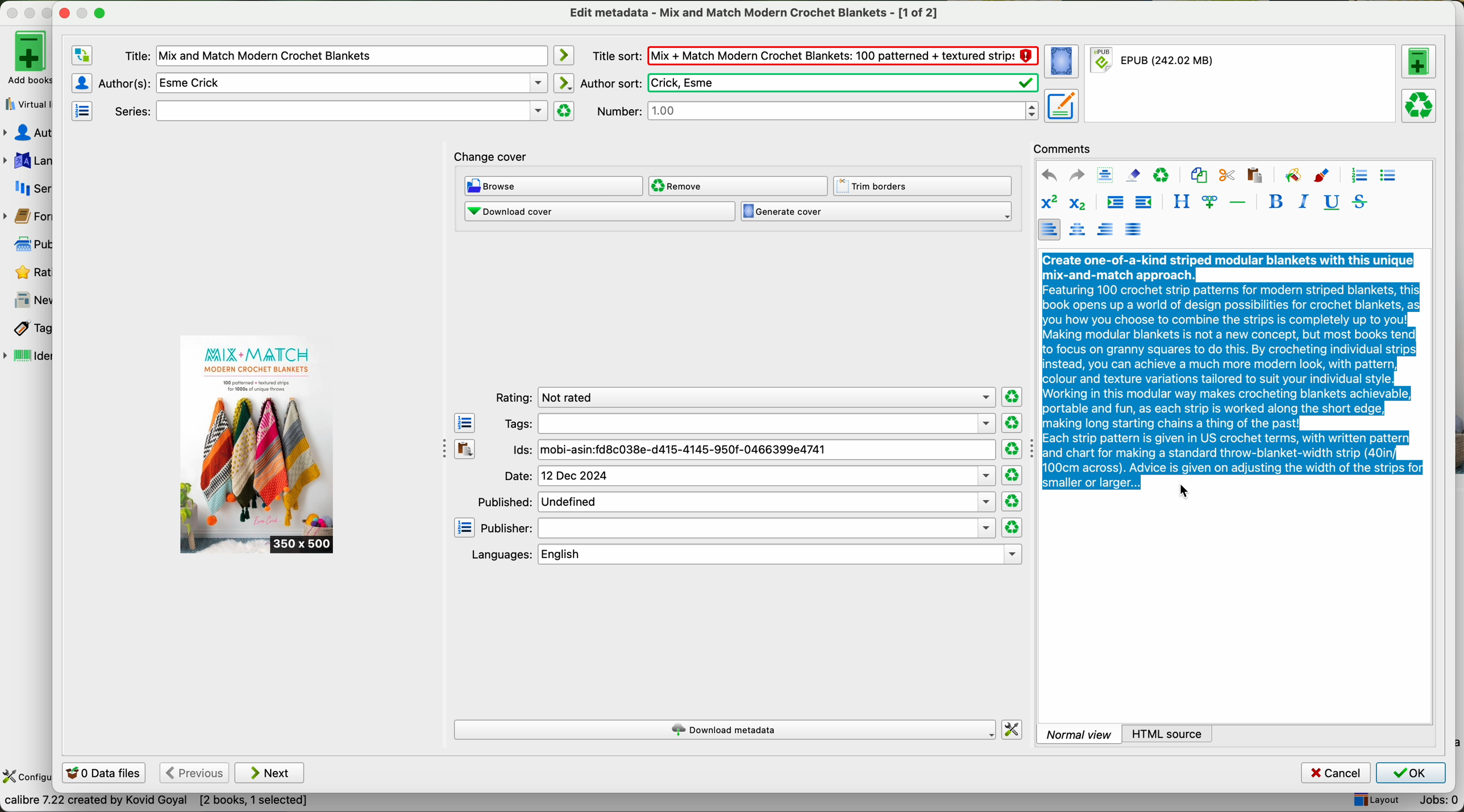  What do you see at coordinates (1114, 204) in the screenshot?
I see `increase indentation` at bounding box center [1114, 204].